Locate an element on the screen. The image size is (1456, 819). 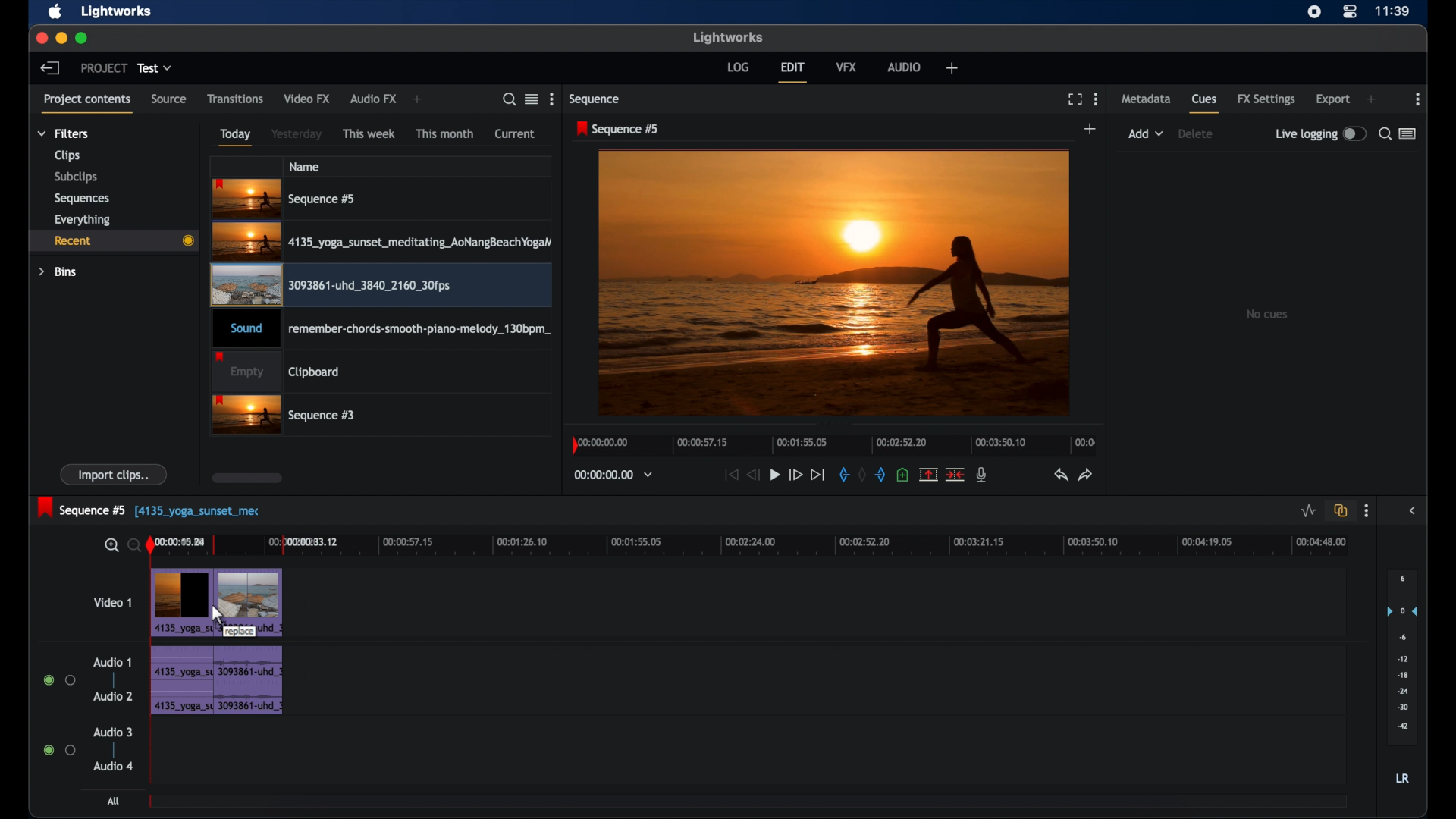
lightworks is located at coordinates (730, 38).